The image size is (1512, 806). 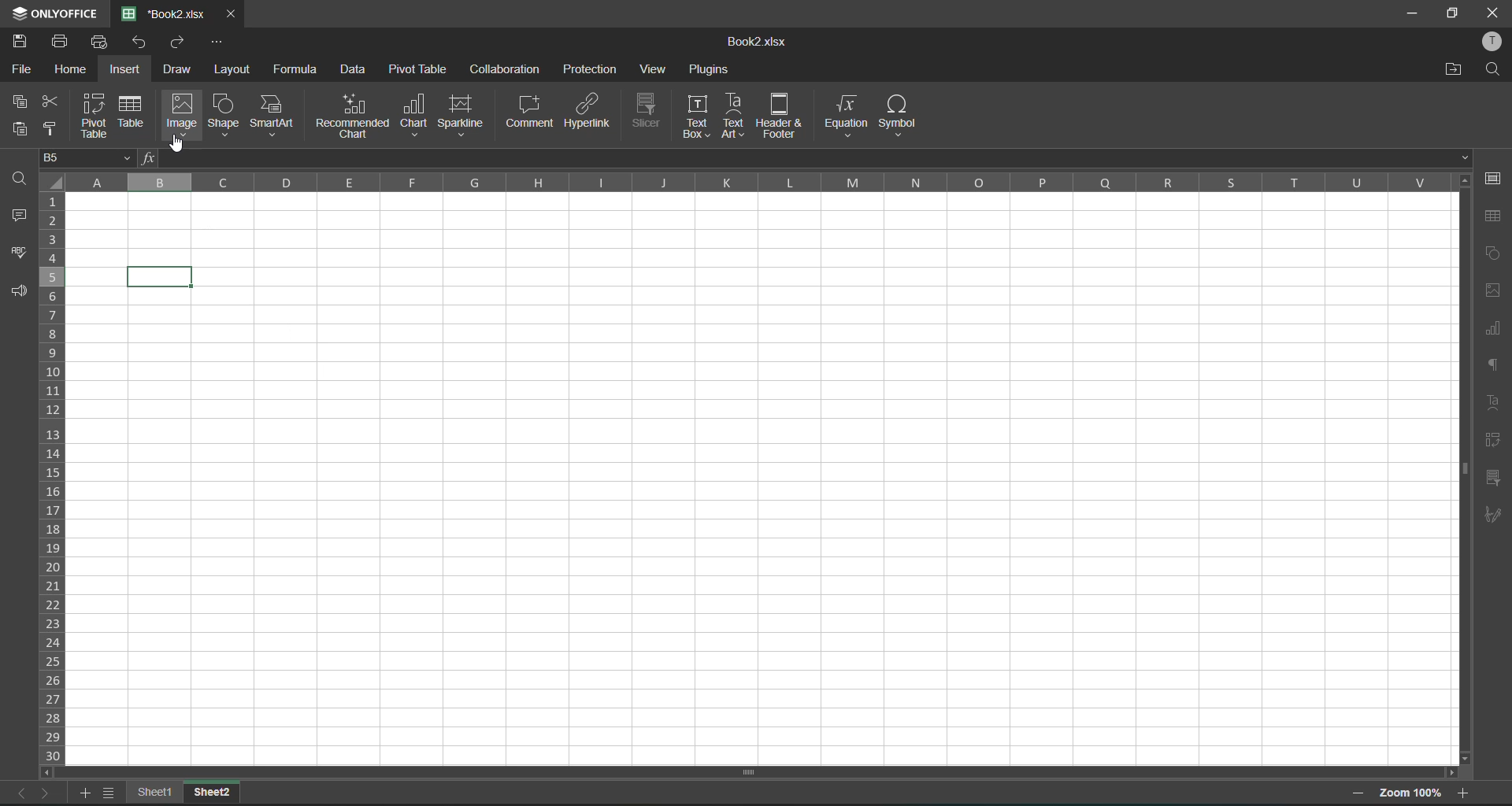 I want to click on data, so click(x=355, y=70).